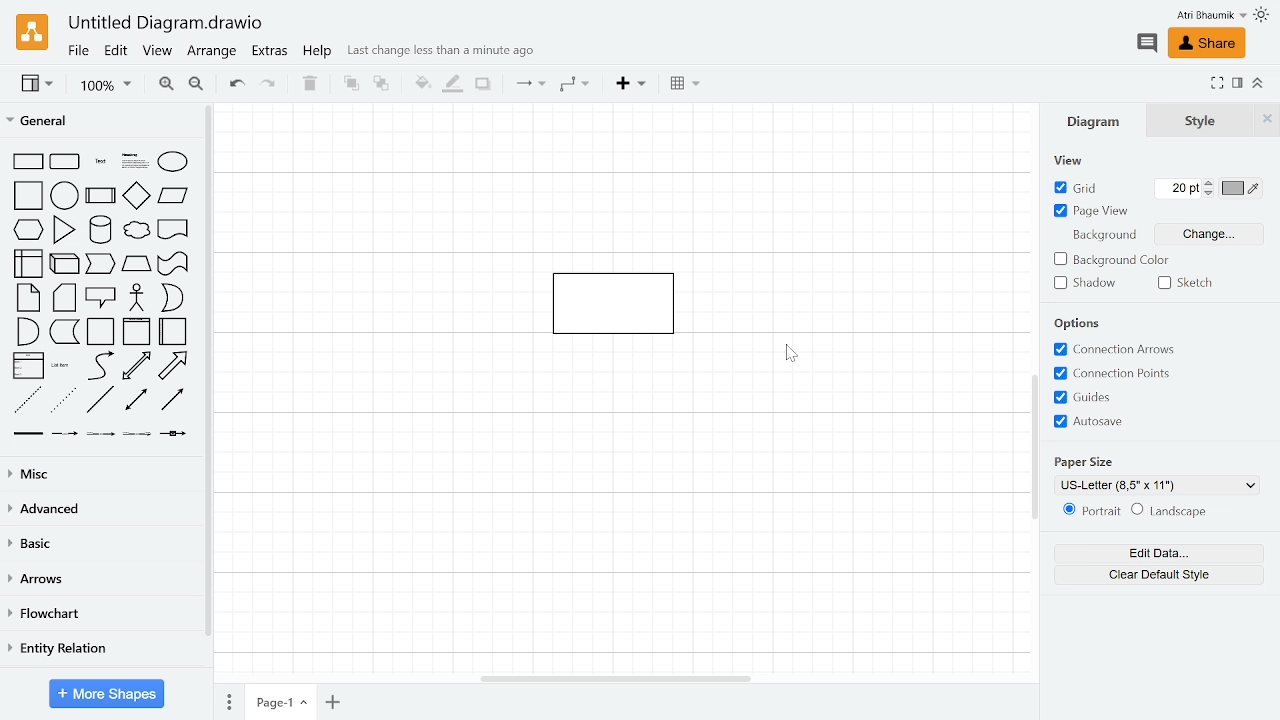  I want to click on Waypoints, so click(573, 85).